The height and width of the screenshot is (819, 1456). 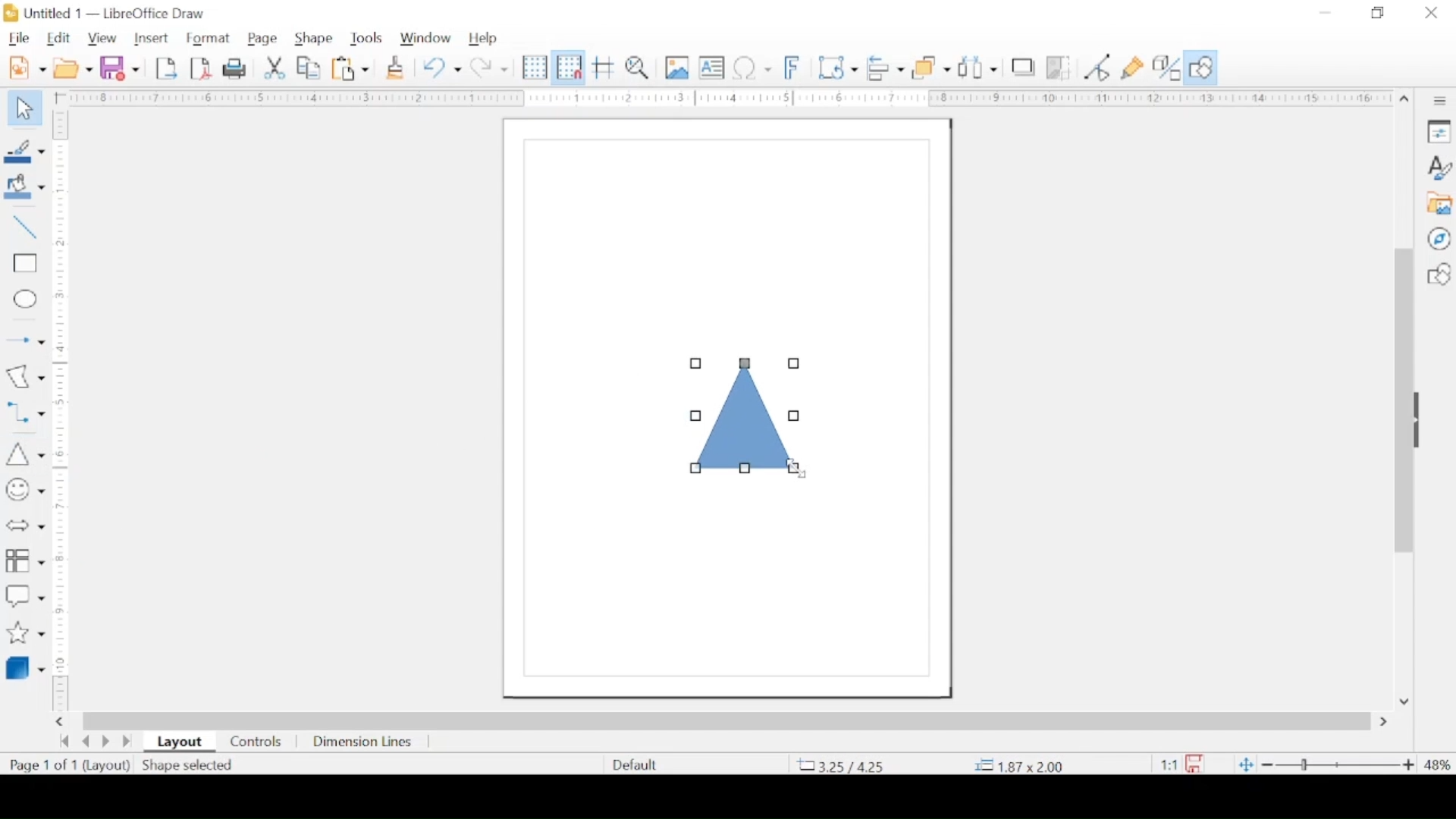 I want to click on restore down, so click(x=1376, y=13).